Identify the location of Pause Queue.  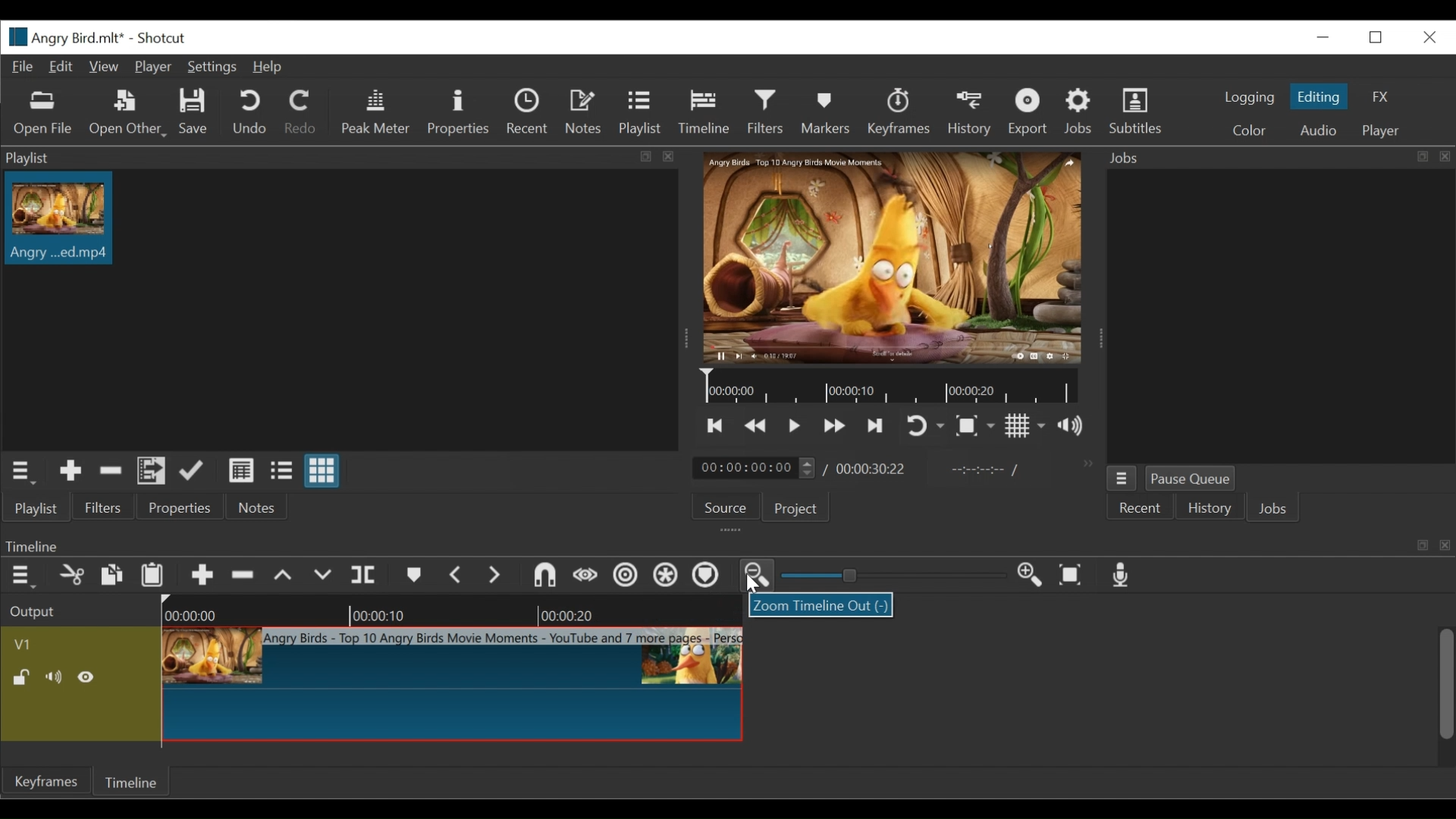
(1189, 478).